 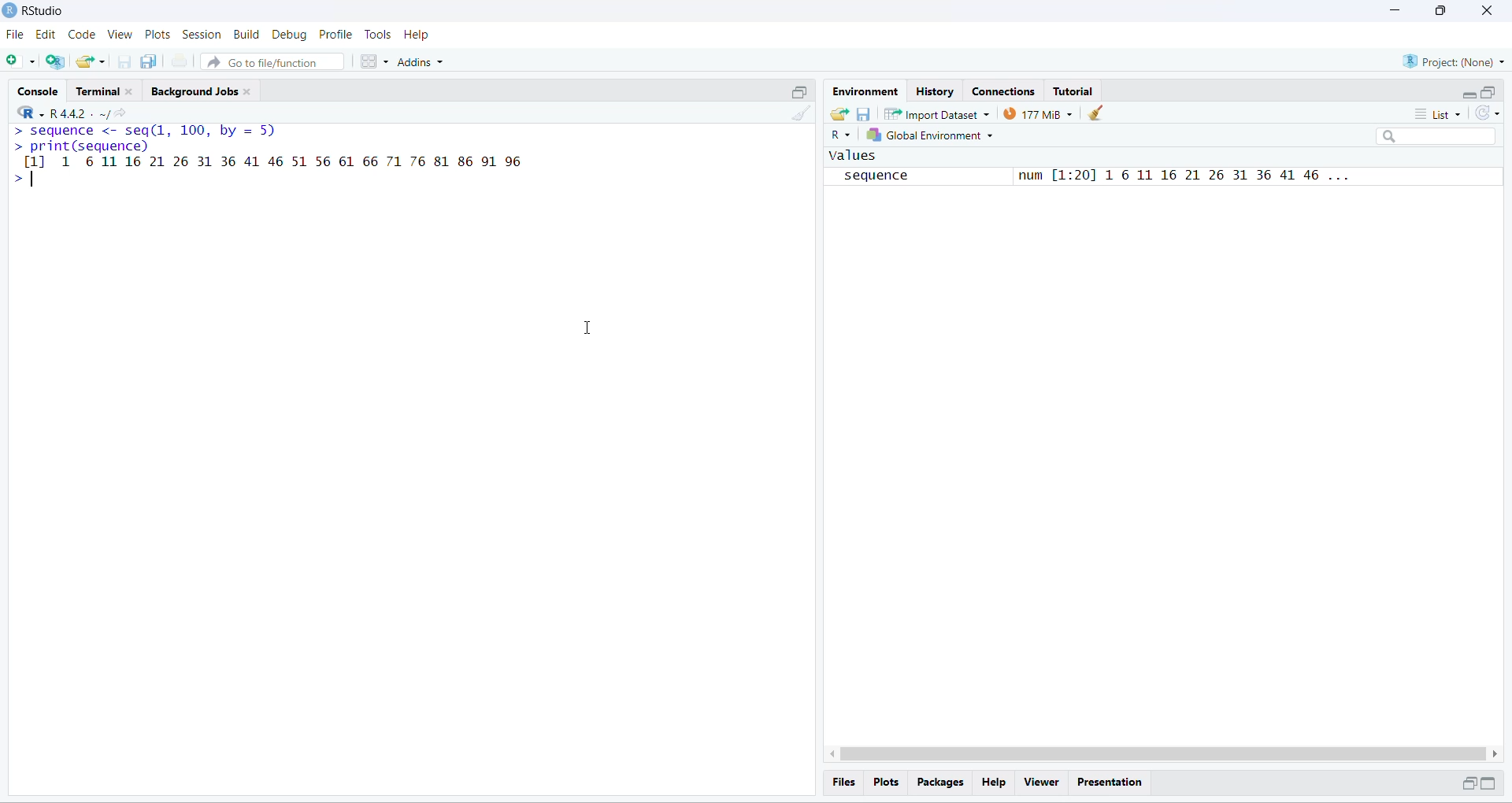 What do you see at coordinates (1468, 94) in the screenshot?
I see `Expand/collapse` at bounding box center [1468, 94].